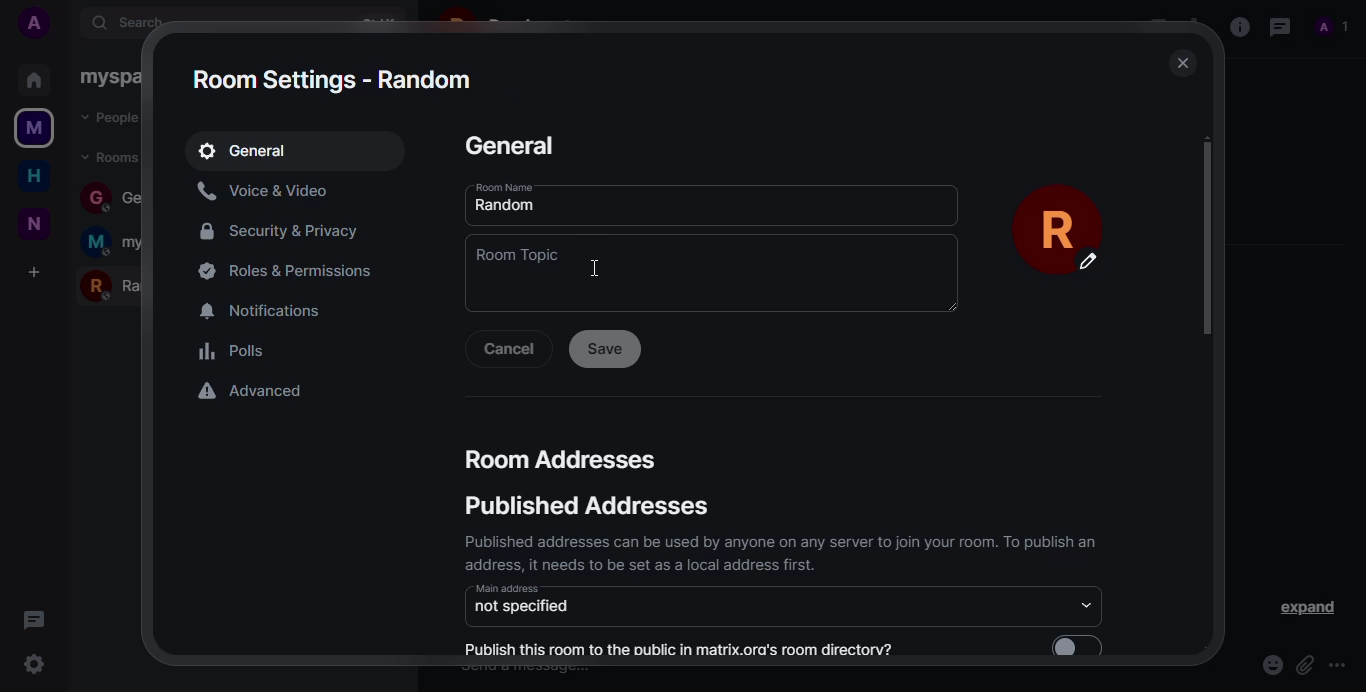 The width and height of the screenshot is (1366, 692). I want to click on home, so click(33, 177).